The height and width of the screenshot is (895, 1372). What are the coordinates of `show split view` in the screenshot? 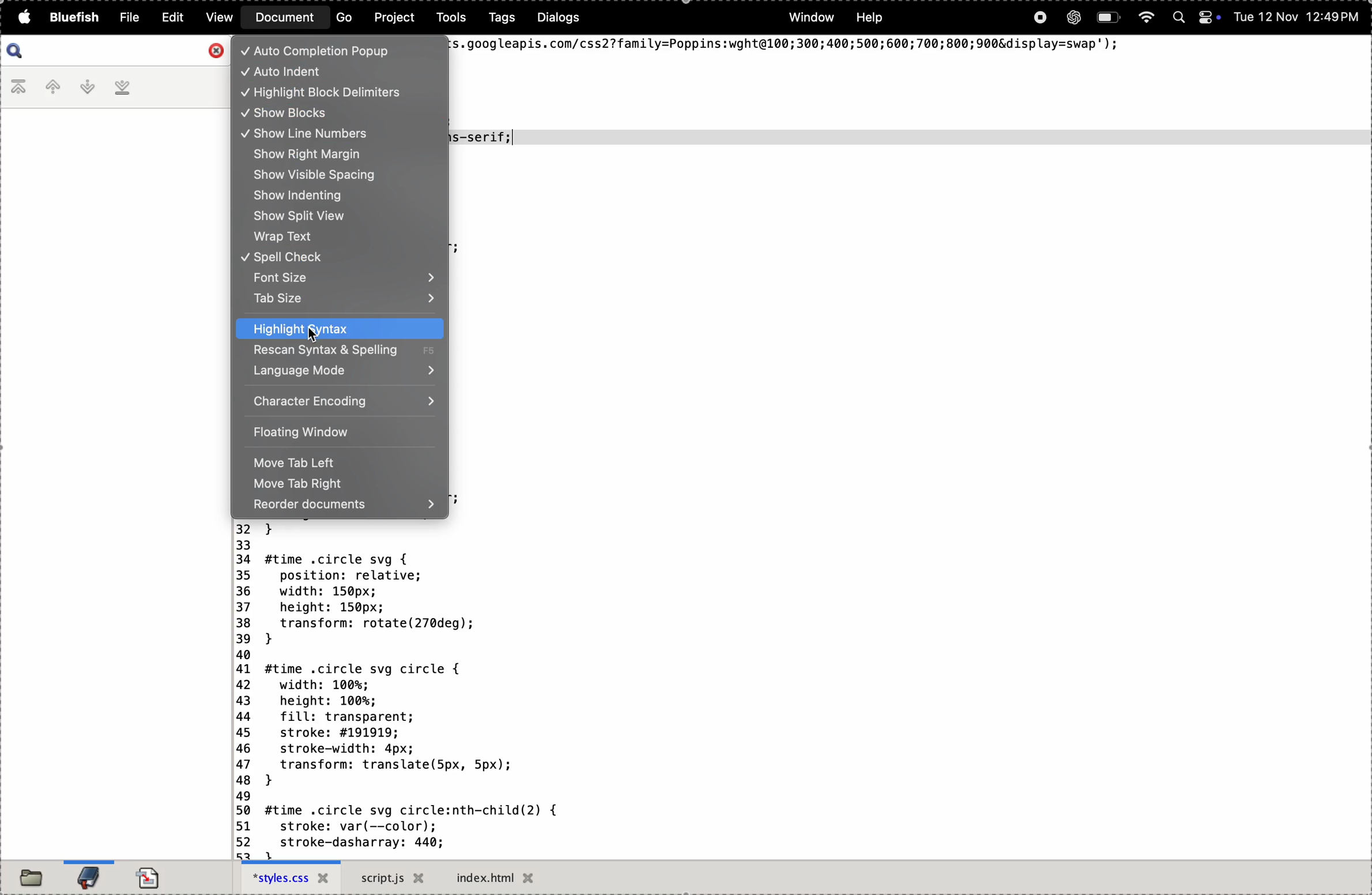 It's located at (337, 216).